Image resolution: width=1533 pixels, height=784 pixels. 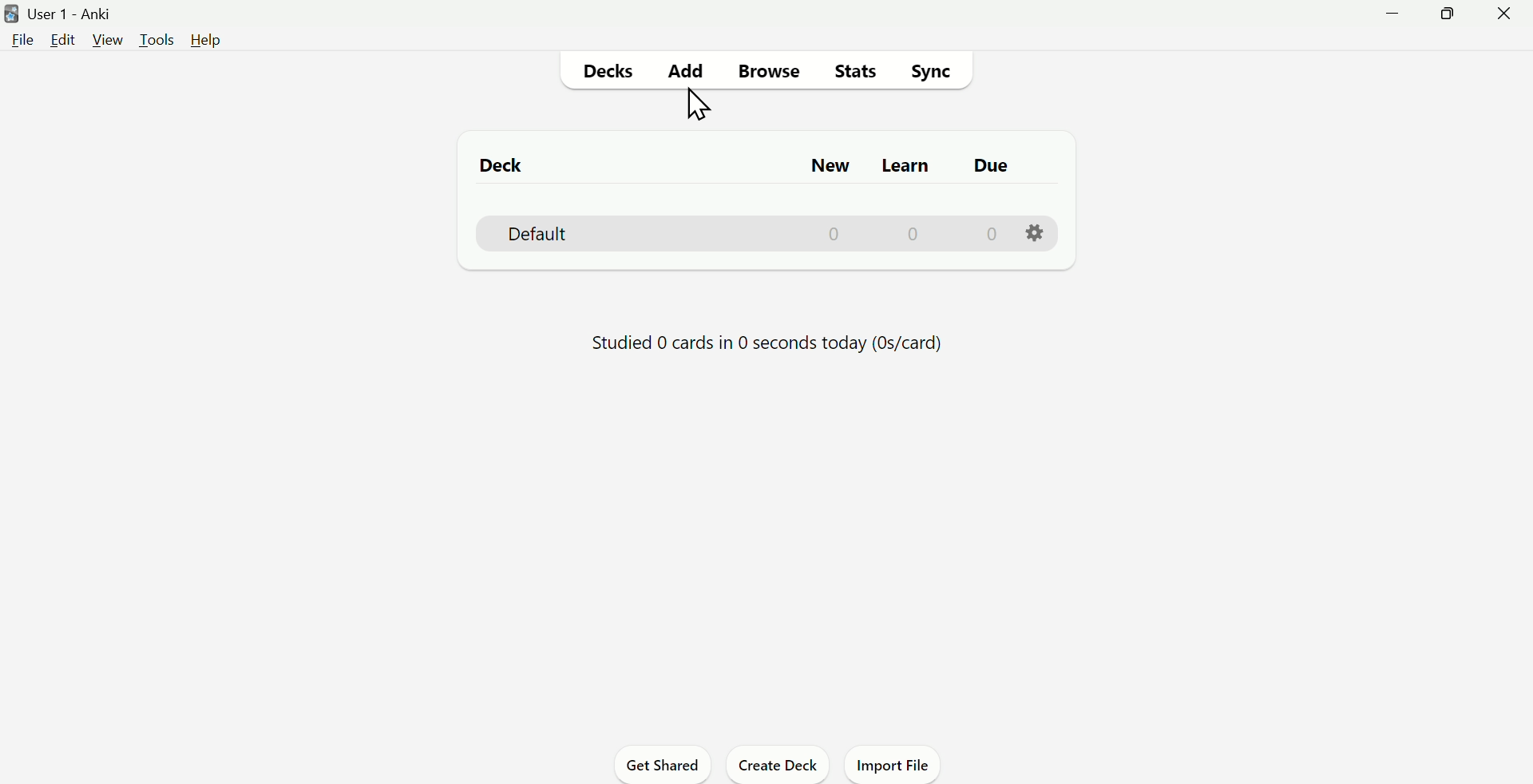 I want to click on File, so click(x=23, y=44).